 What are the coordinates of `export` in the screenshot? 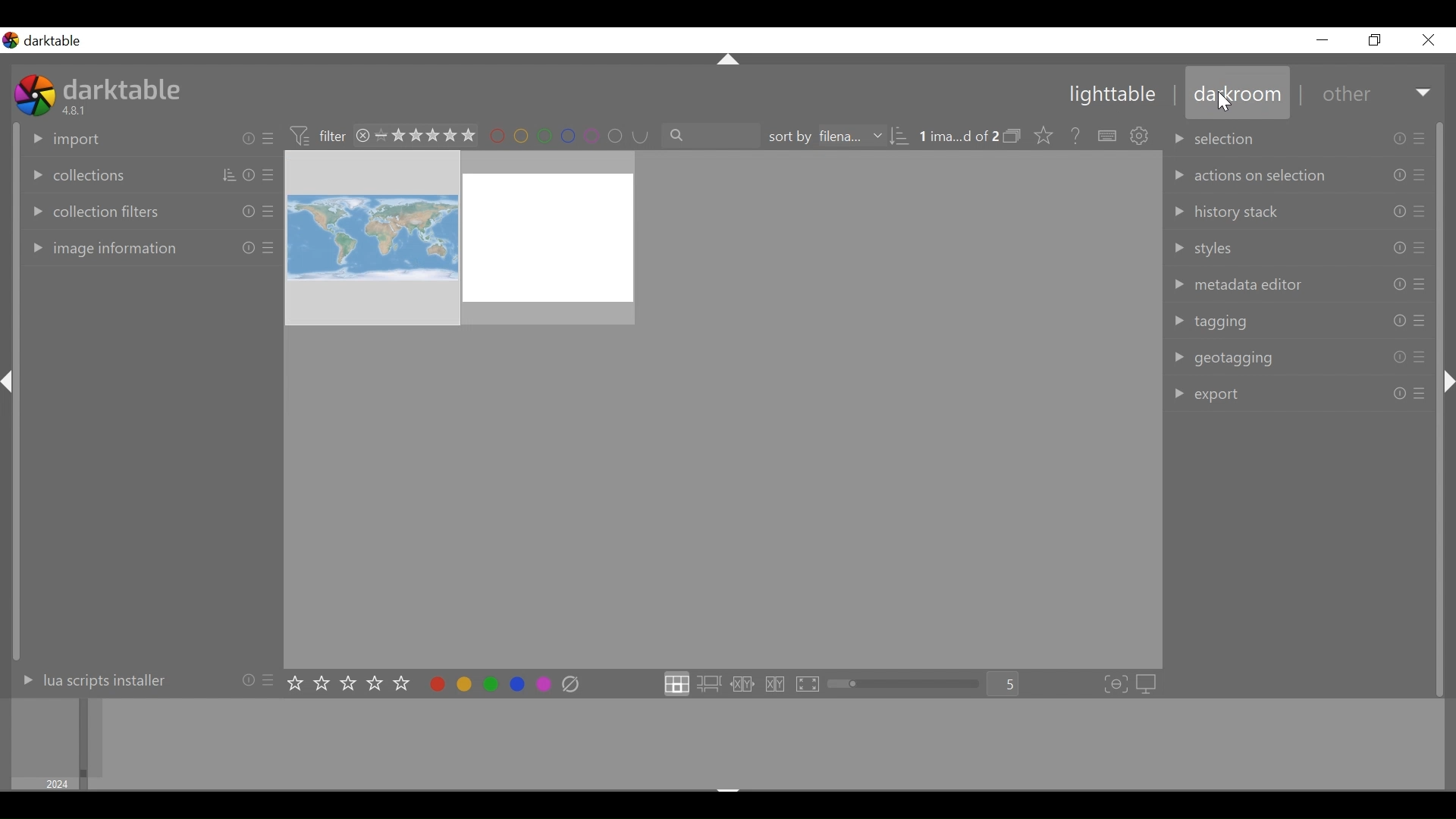 It's located at (1298, 393).